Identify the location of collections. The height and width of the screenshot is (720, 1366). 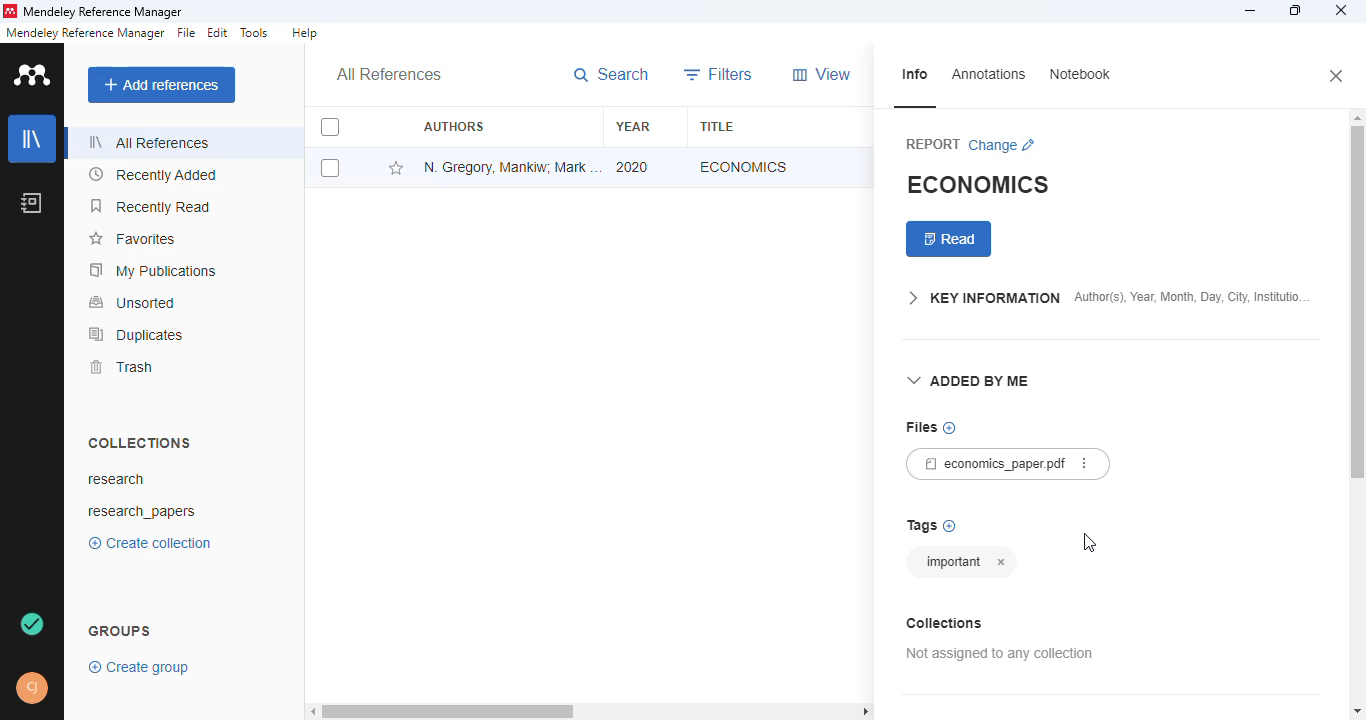
(140, 444).